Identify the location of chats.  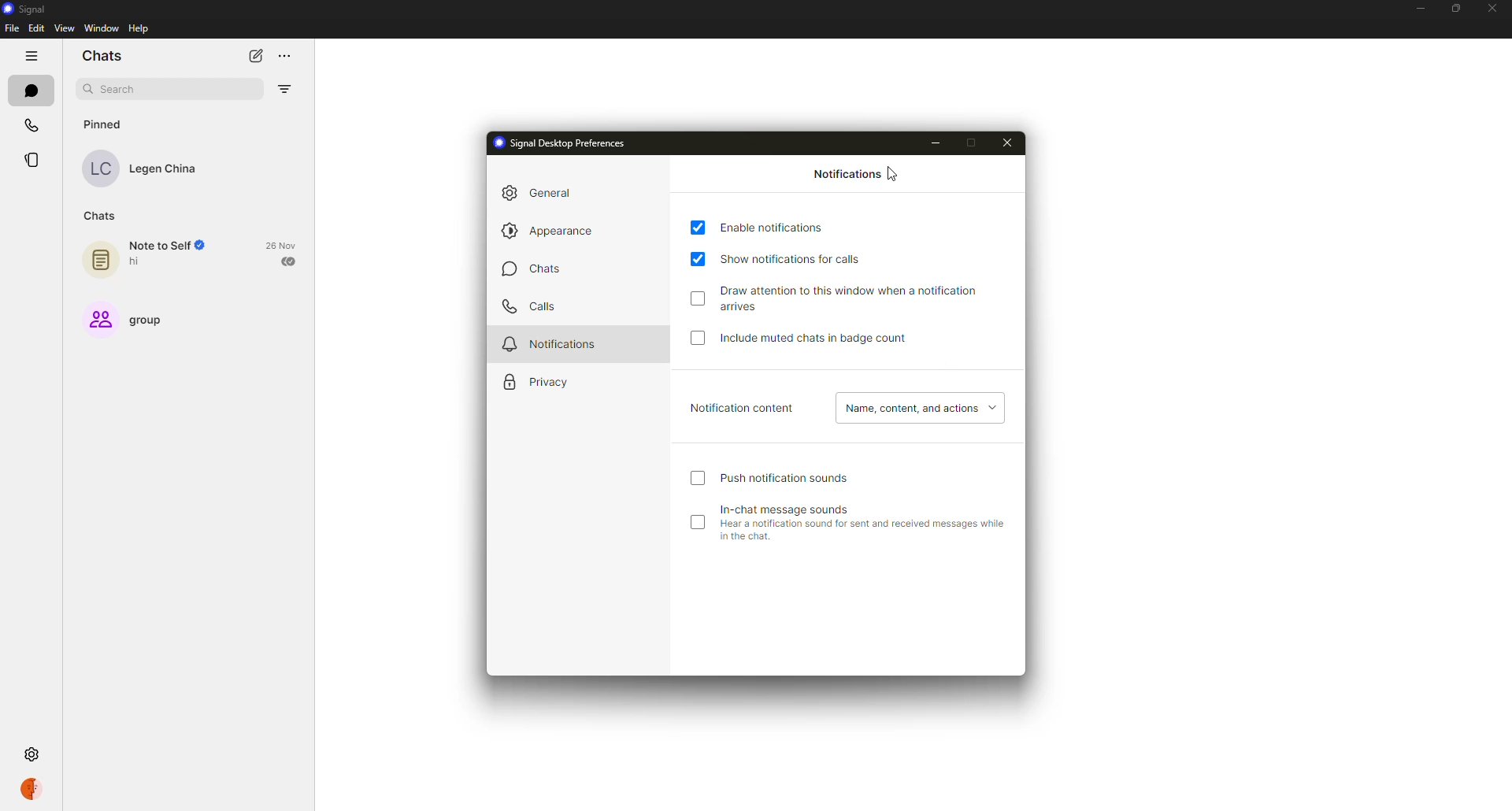
(105, 55).